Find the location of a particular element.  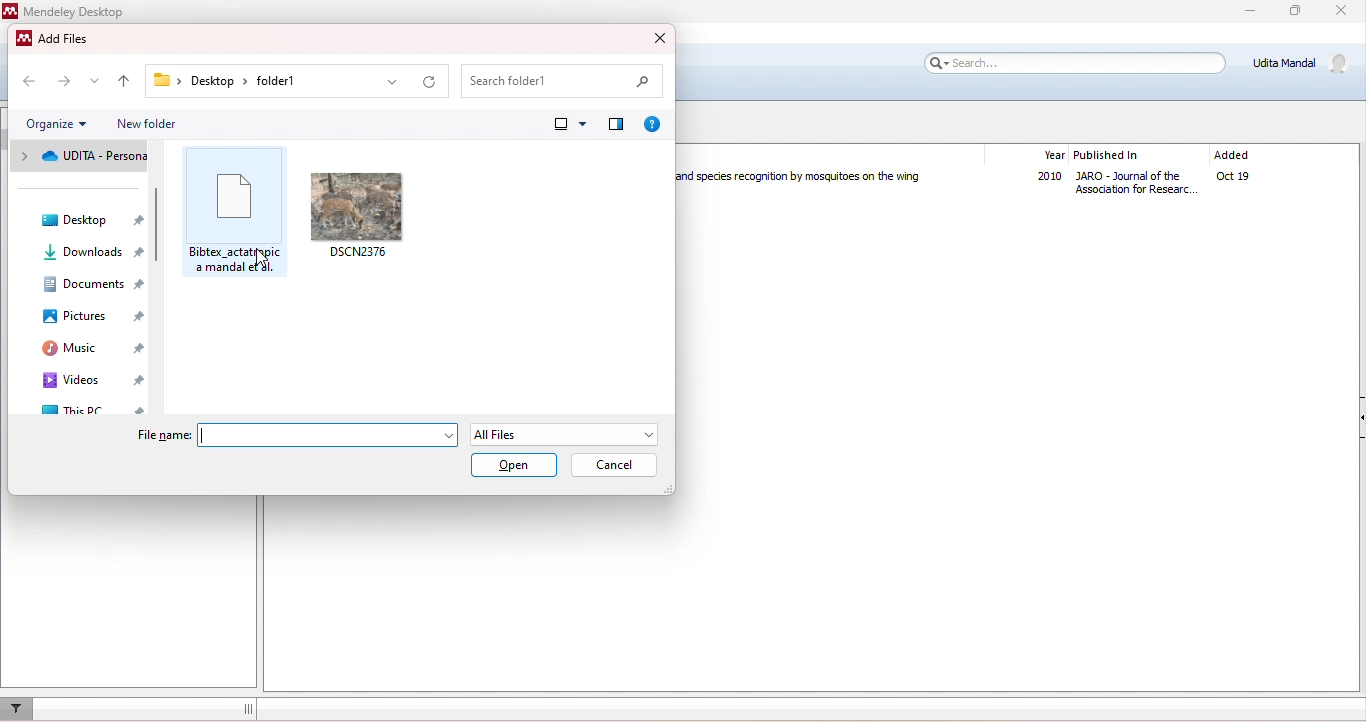

desktop is located at coordinates (91, 219).